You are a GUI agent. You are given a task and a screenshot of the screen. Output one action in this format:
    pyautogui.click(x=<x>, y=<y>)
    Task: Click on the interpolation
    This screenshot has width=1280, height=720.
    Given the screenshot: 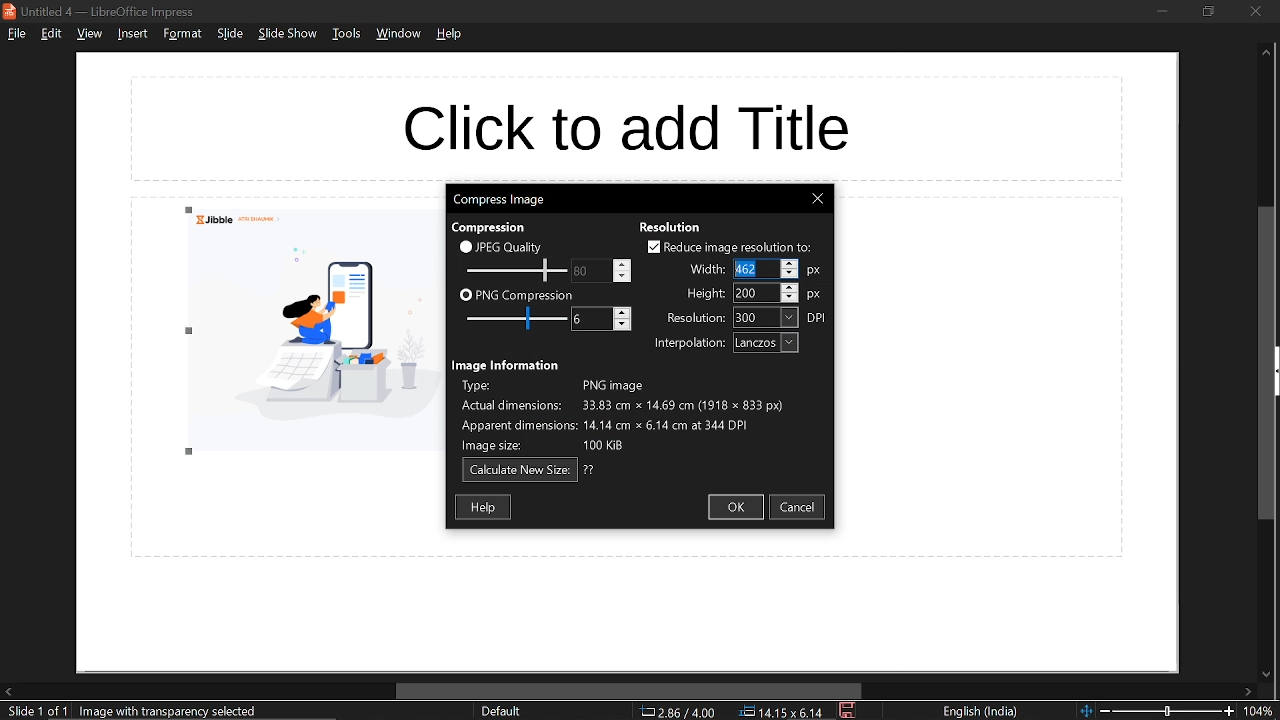 What is the action you would take?
    pyautogui.click(x=766, y=343)
    